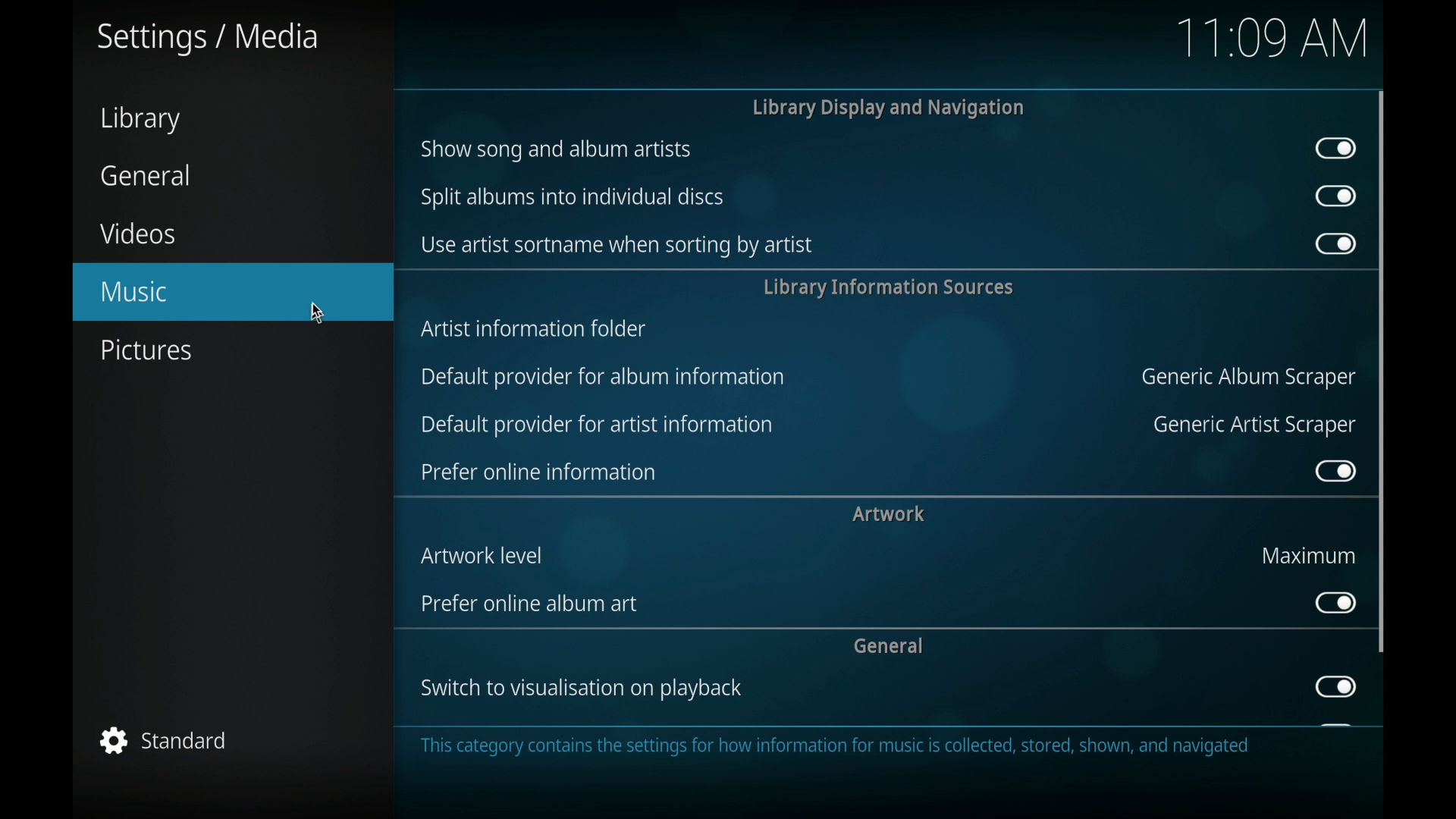 The image size is (1456, 819). What do you see at coordinates (482, 555) in the screenshot?
I see `artwork level` at bounding box center [482, 555].